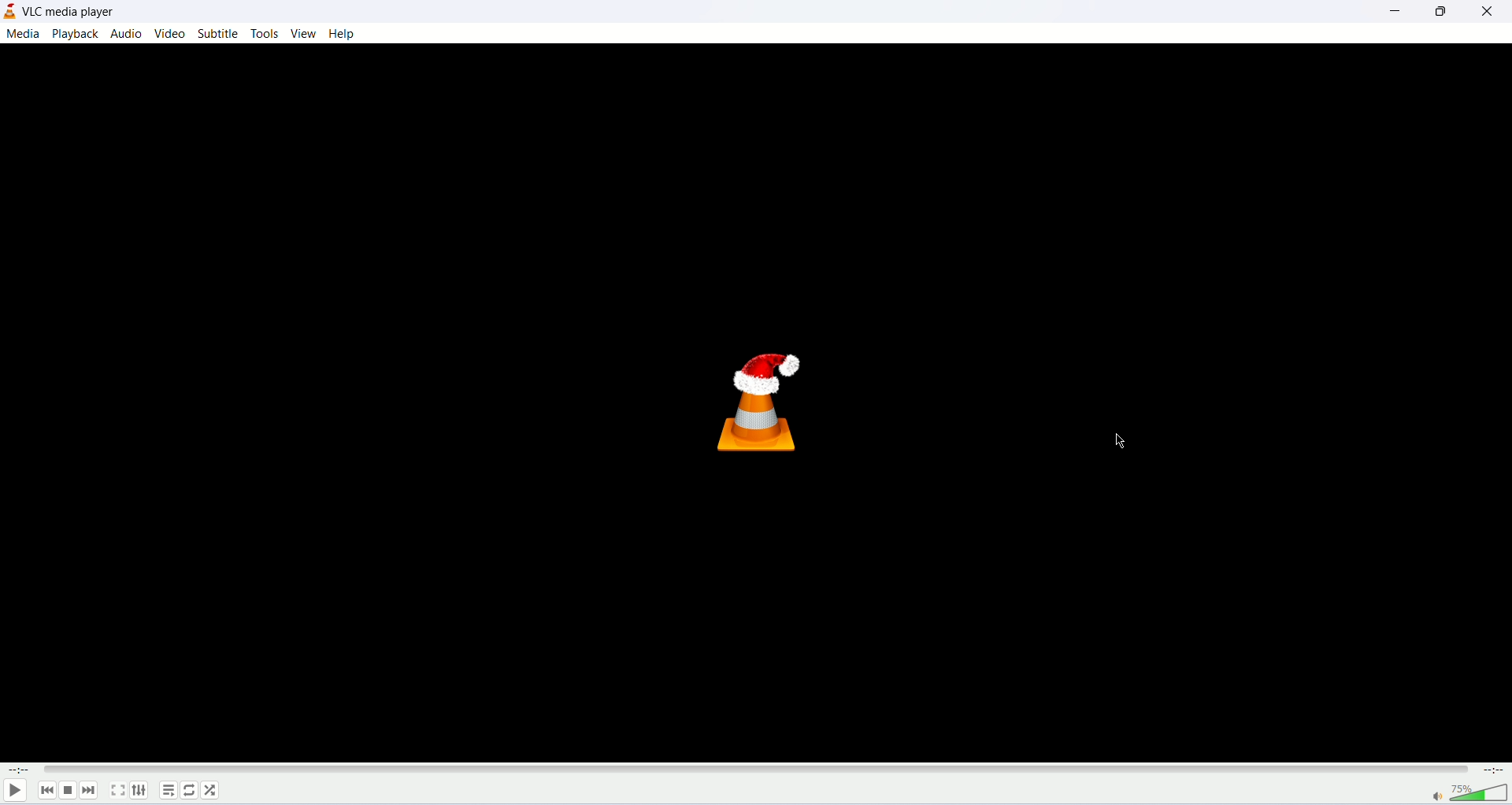 The height and width of the screenshot is (805, 1512). I want to click on progress bar, so click(760, 770).